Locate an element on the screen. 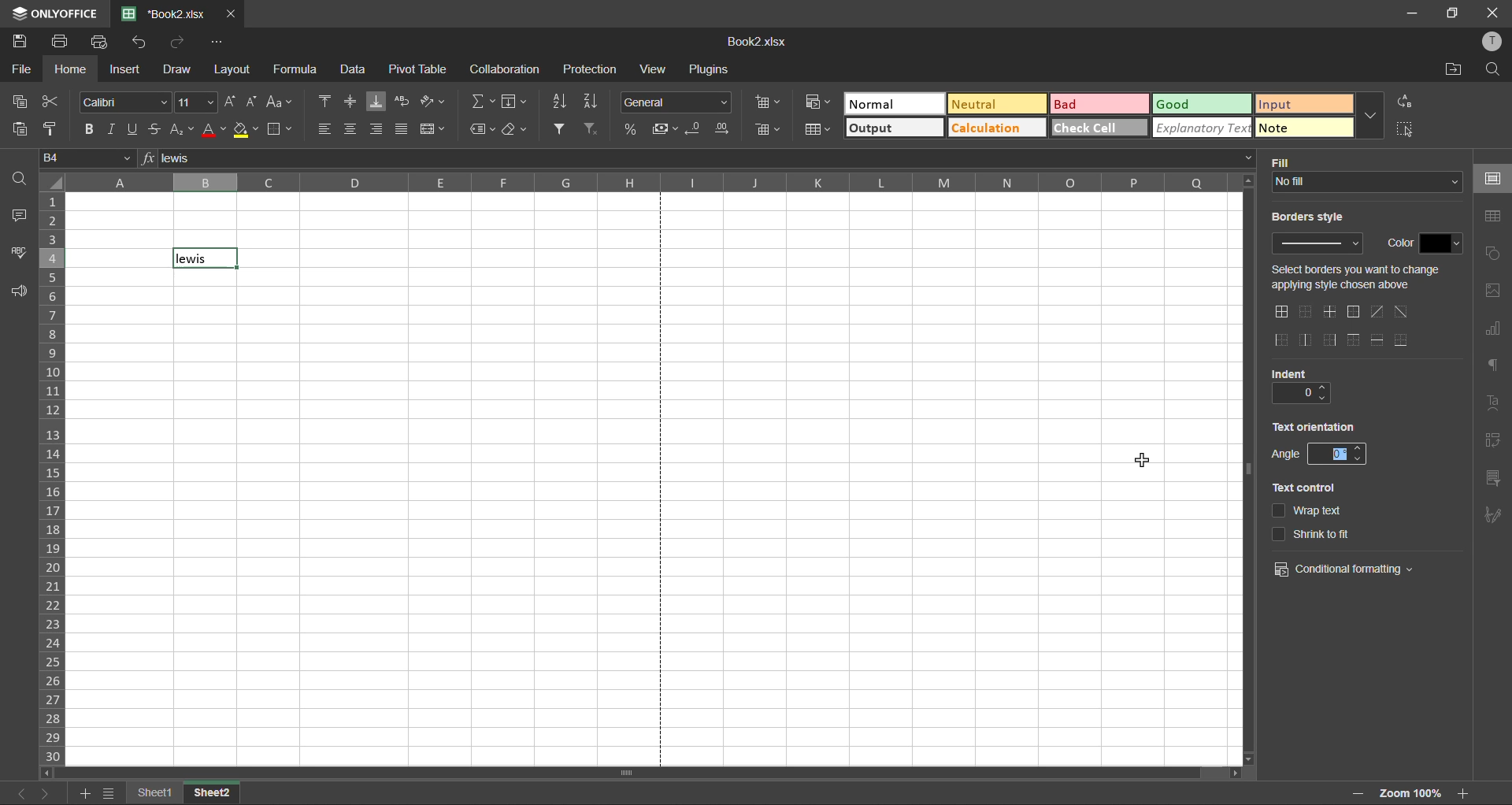 This screenshot has width=1512, height=805. indent is located at coordinates (1285, 374).